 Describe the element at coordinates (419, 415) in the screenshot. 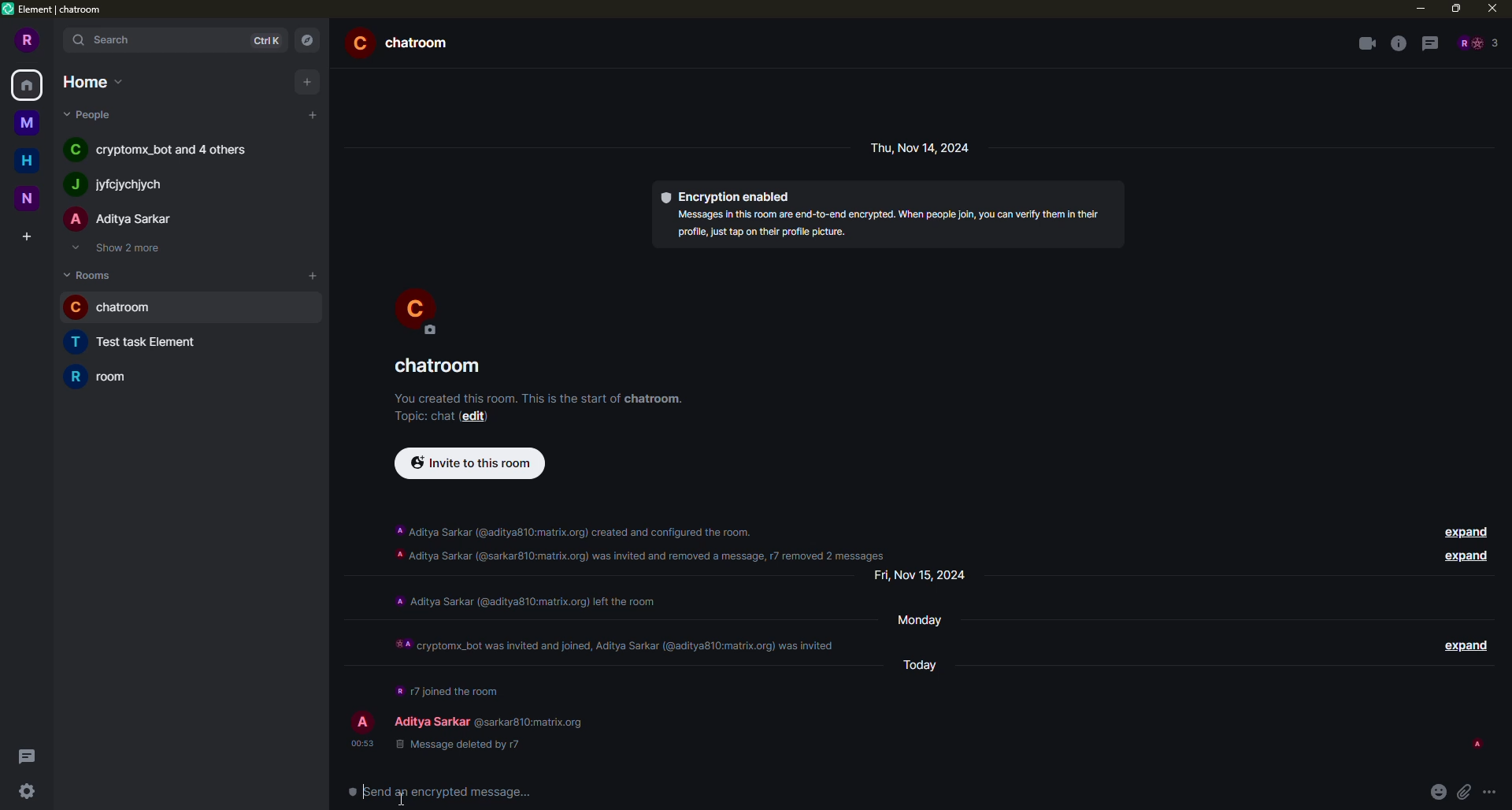

I see `add a topic` at that location.